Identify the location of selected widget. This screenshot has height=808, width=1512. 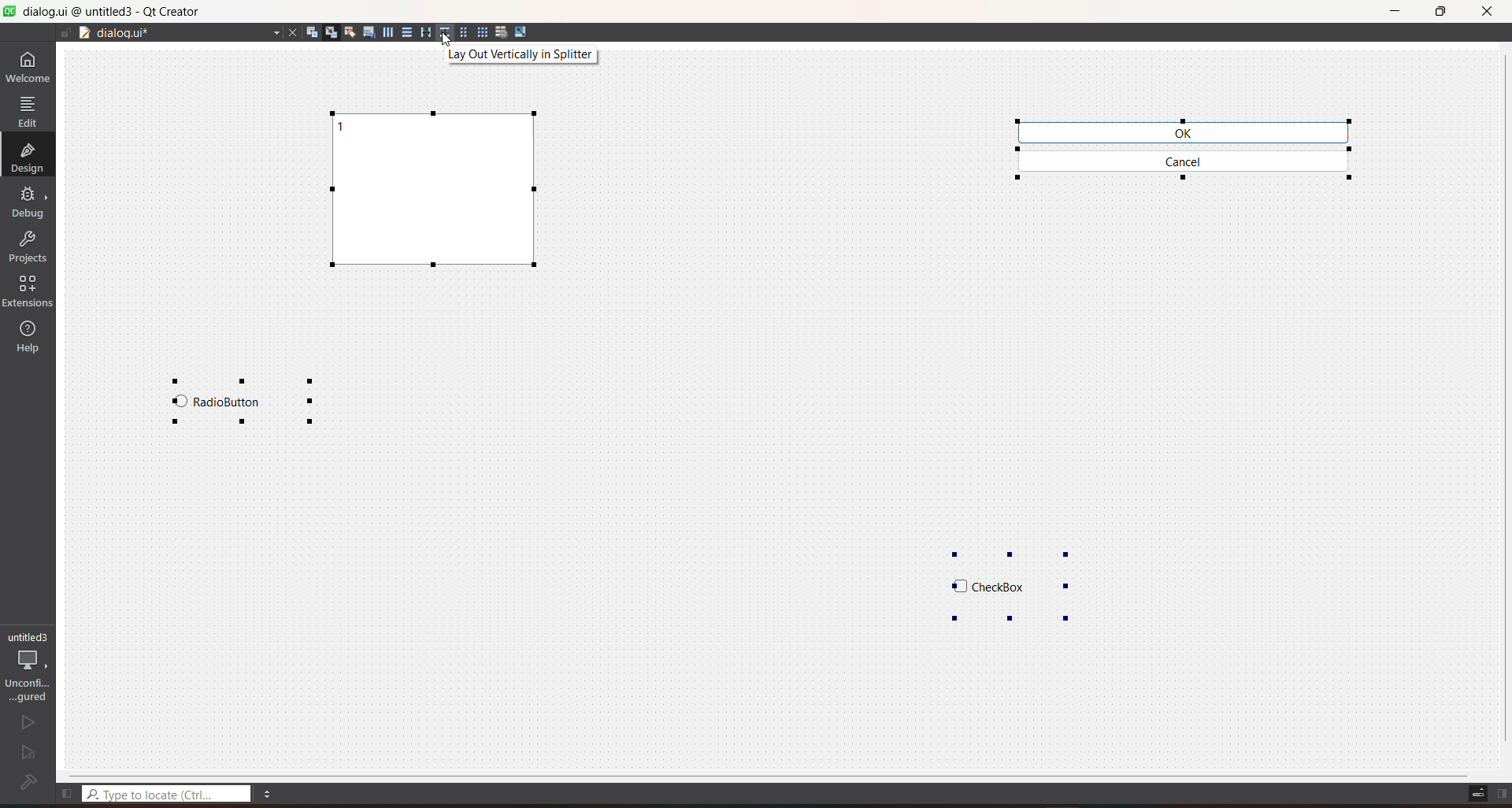
(1187, 147).